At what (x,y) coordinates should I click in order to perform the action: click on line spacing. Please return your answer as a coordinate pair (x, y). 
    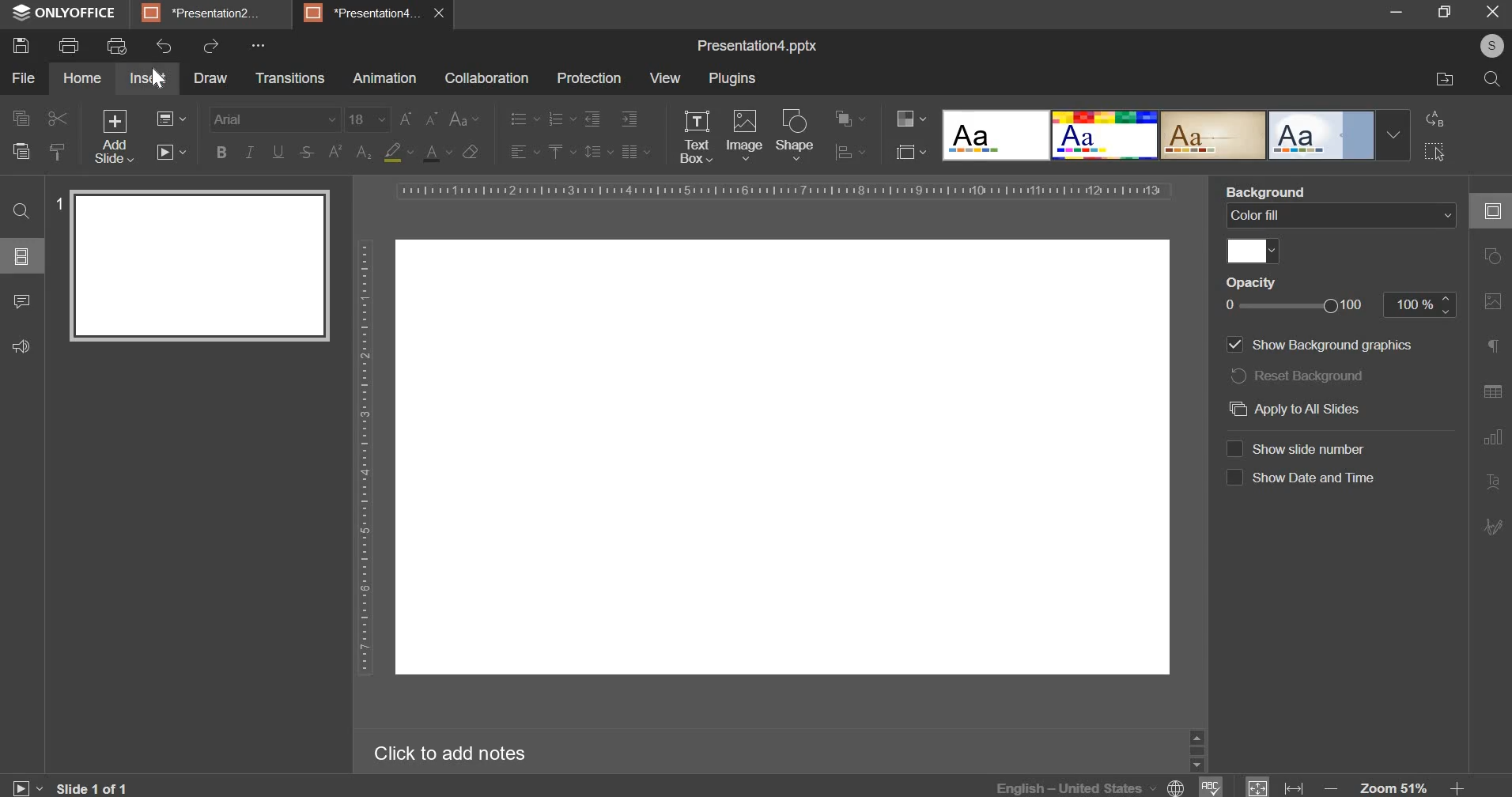
    Looking at the image, I should click on (599, 150).